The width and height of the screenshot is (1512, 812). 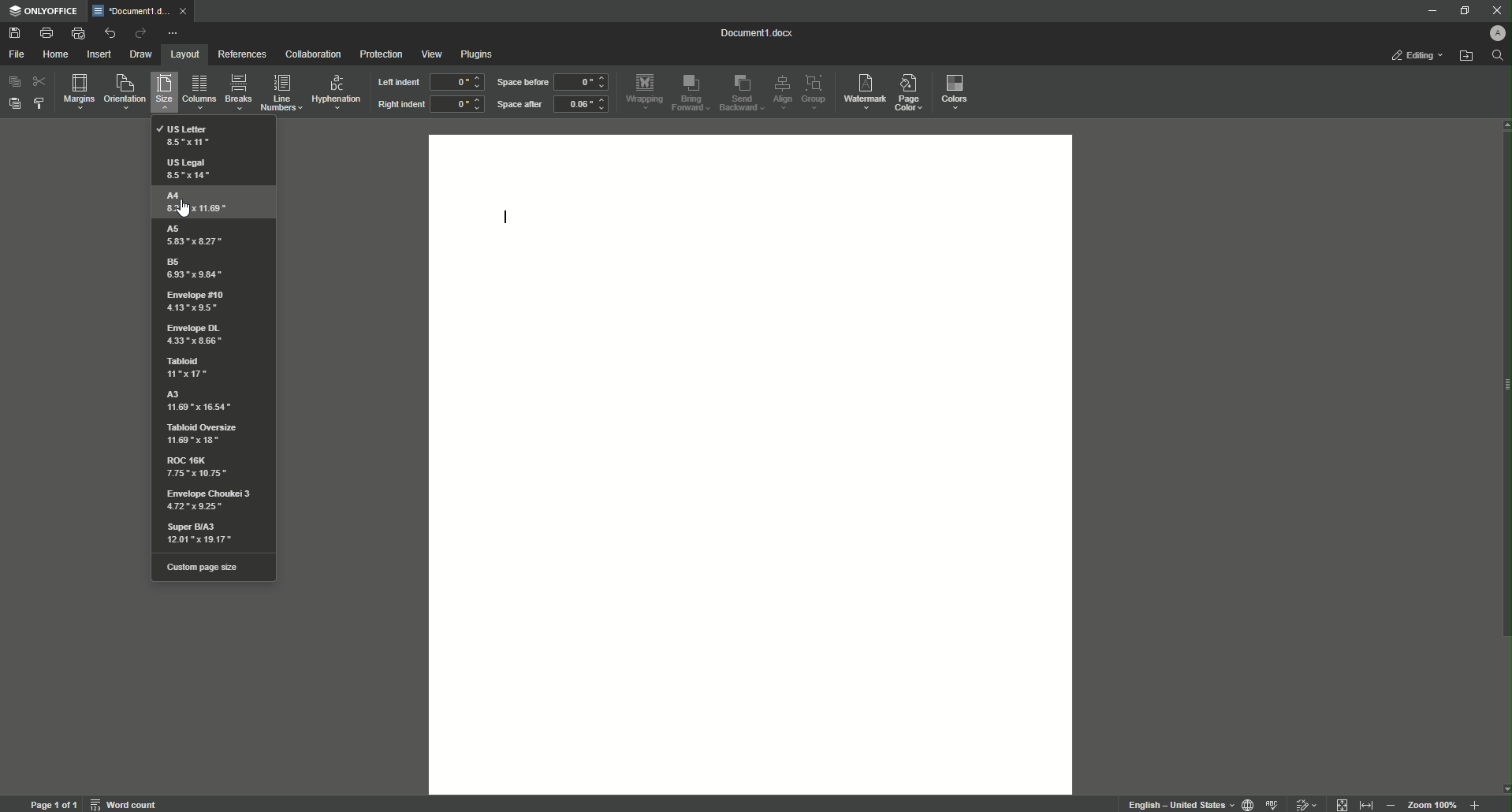 I want to click on Right indent, so click(x=400, y=105).